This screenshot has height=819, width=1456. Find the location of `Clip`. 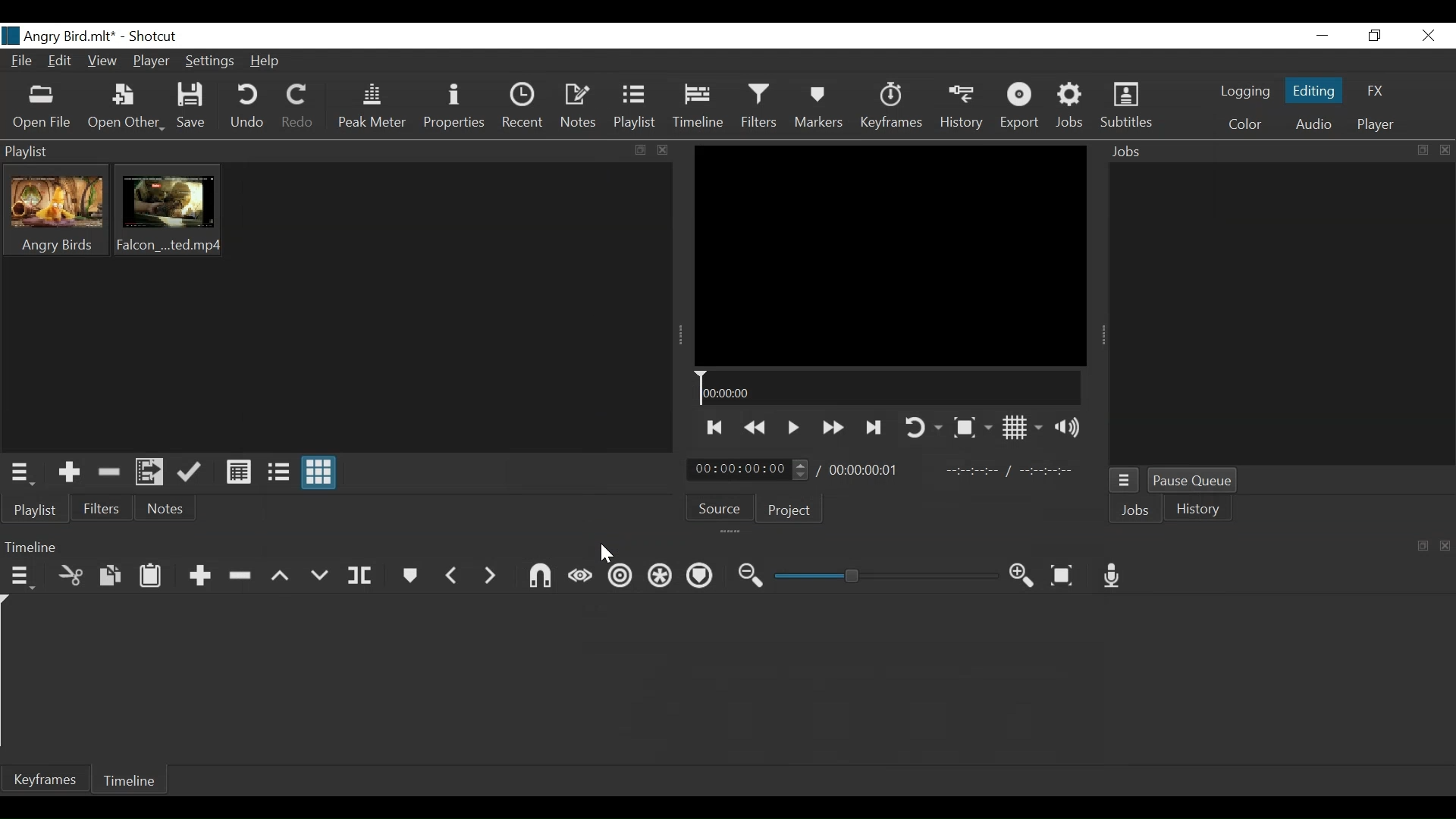

Clip is located at coordinates (168, 210).